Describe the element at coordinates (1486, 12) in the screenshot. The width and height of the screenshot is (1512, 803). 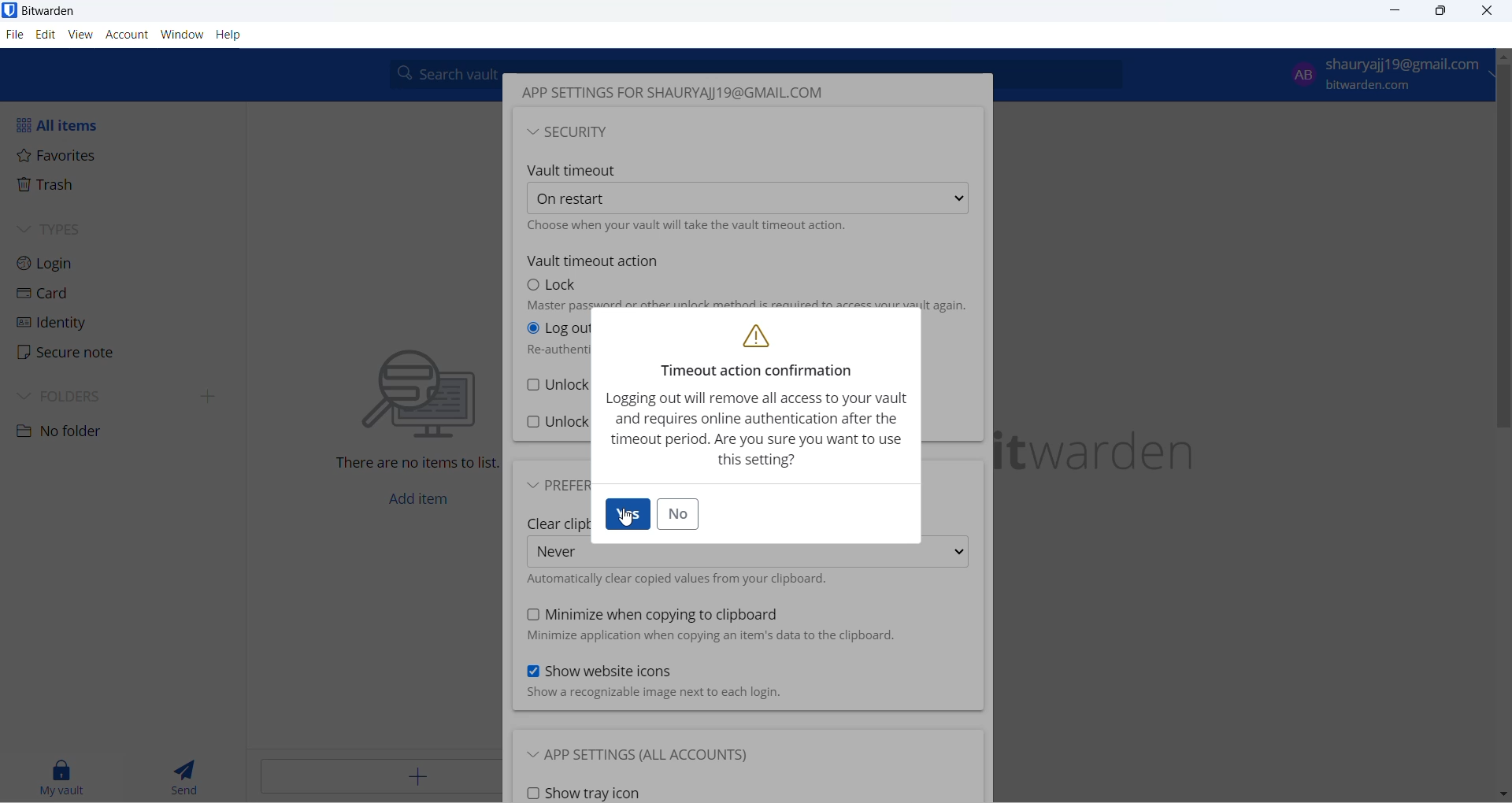
I see `close` at that location.